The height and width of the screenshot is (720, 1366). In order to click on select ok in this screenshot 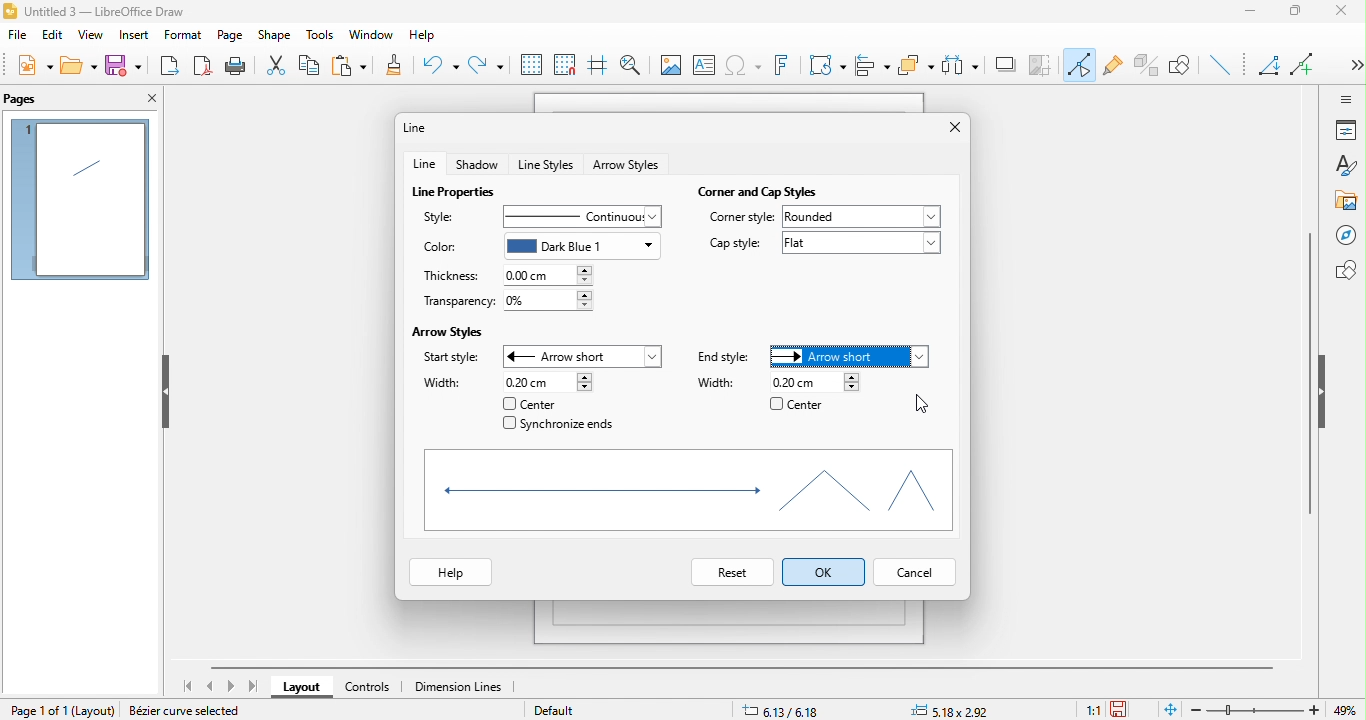, I will do `click(825, 570)`.